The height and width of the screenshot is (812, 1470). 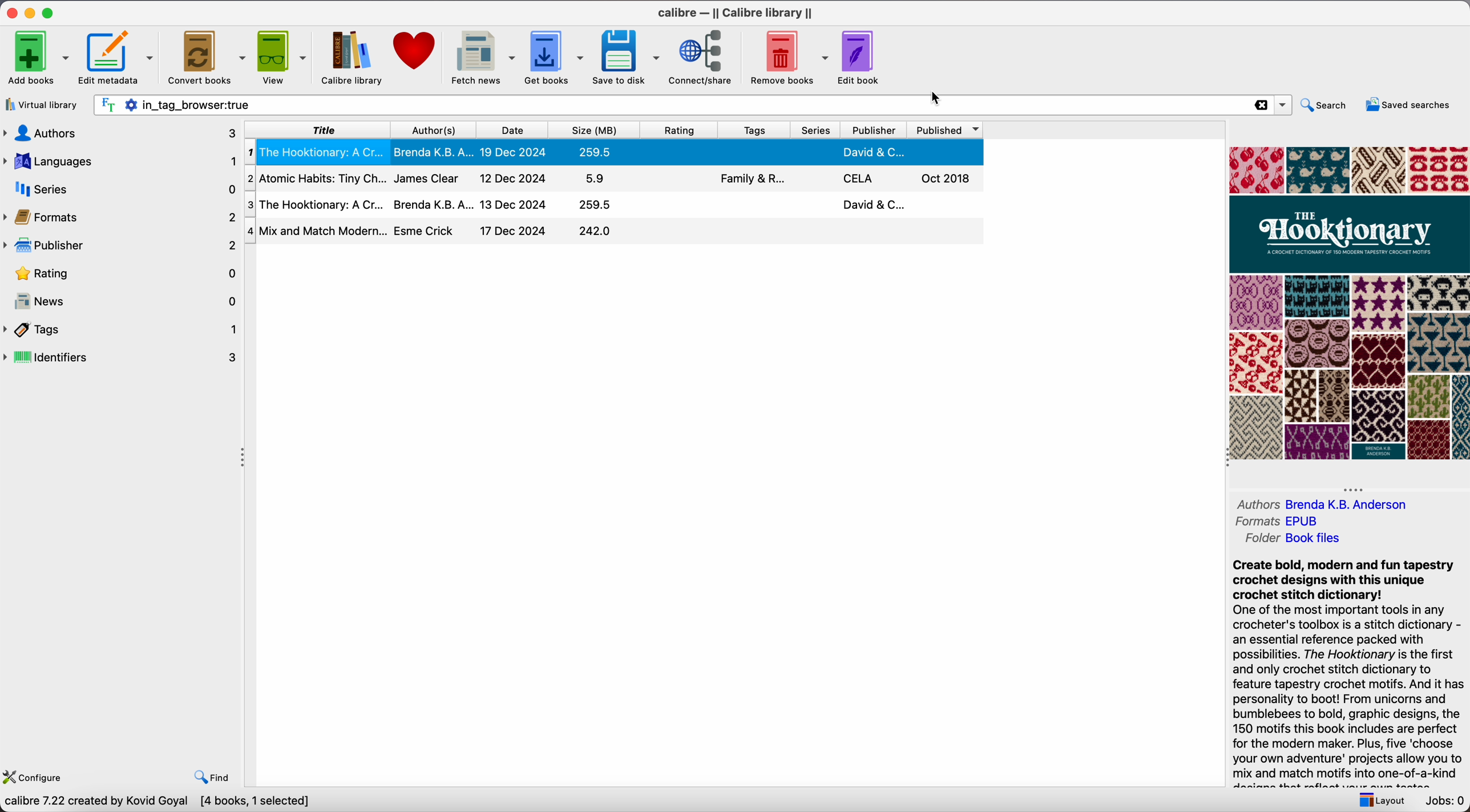 What do you see at coordinates (593, 231) in the screenshot?
I see `242.0` at bounding box center [593, 231].